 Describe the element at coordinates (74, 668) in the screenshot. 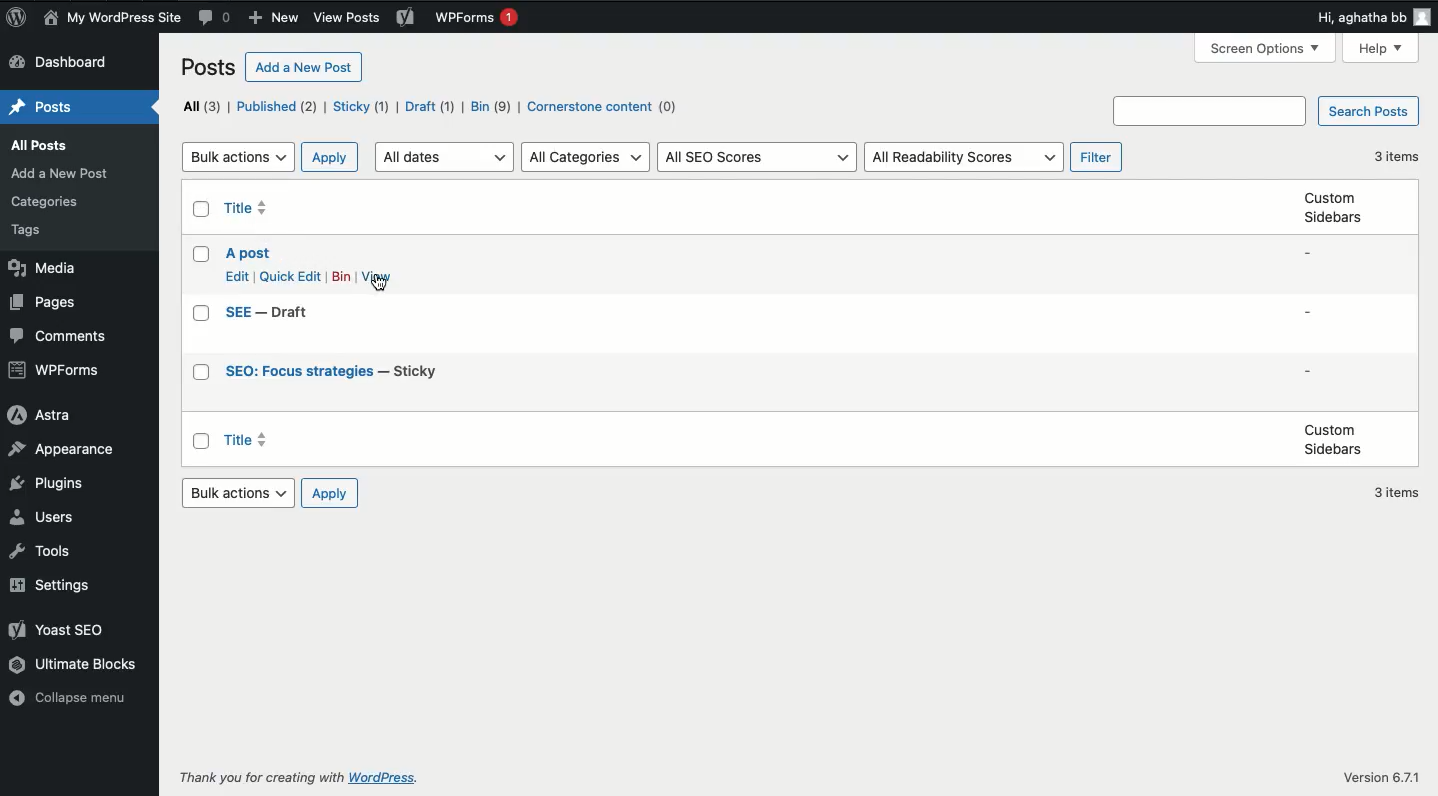

I see `Ultimate blocks` at that location.